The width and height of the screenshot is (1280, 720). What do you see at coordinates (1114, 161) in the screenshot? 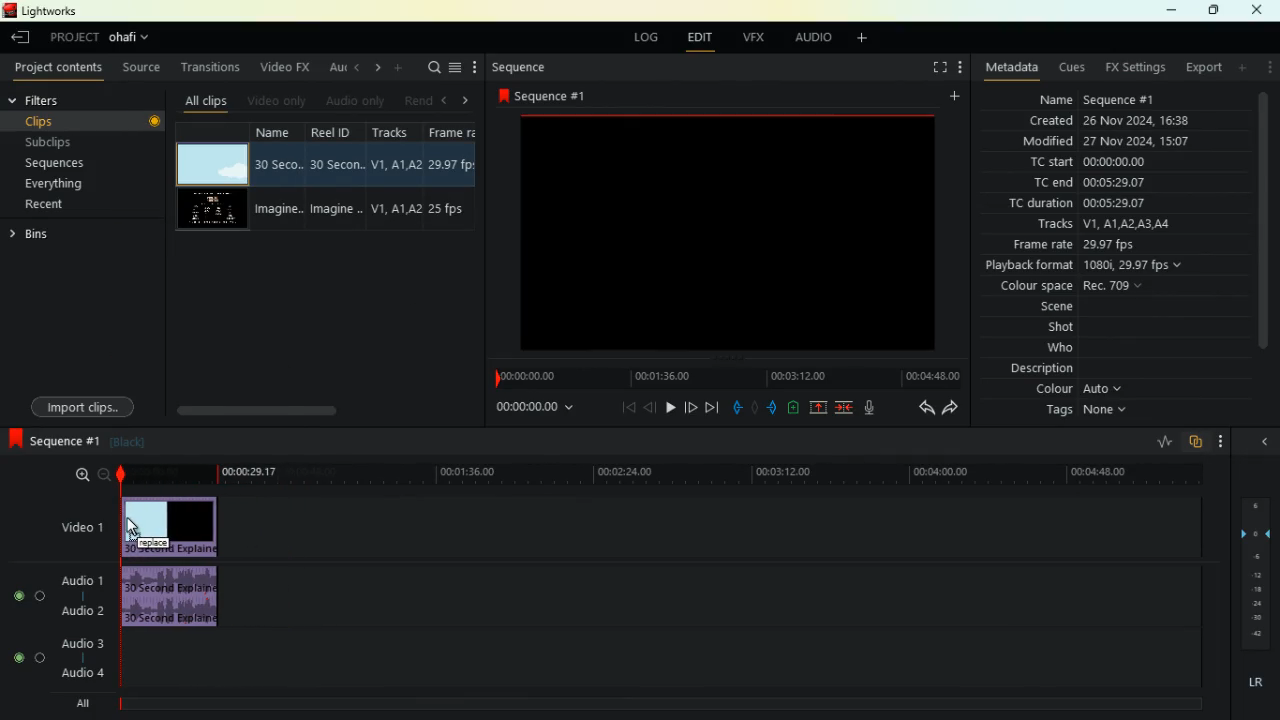
I see `00:00:00.00` at bounding box center [1114, 161].